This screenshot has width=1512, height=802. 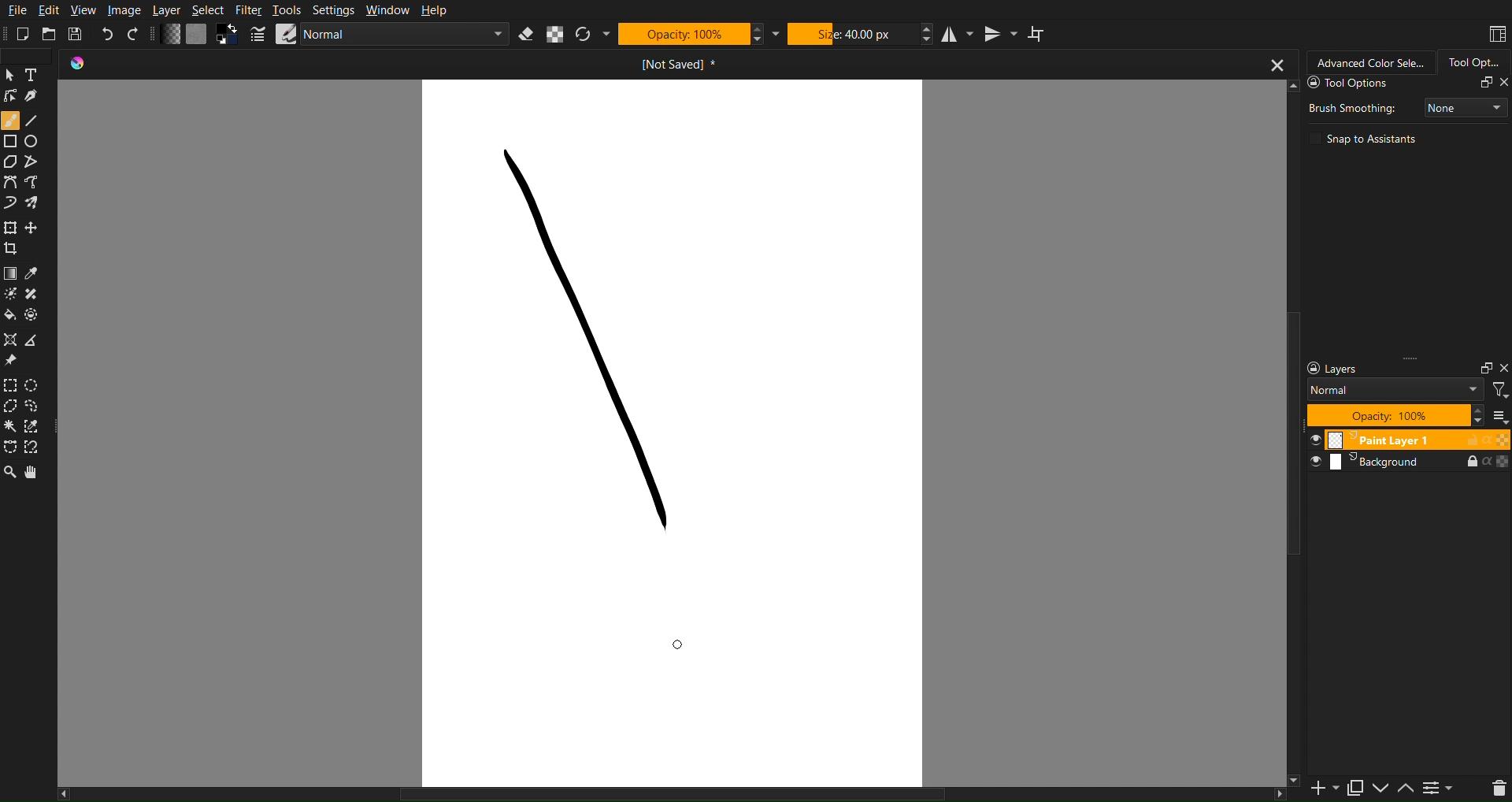 I want to click on Delete, so click(x=1494, y=789).